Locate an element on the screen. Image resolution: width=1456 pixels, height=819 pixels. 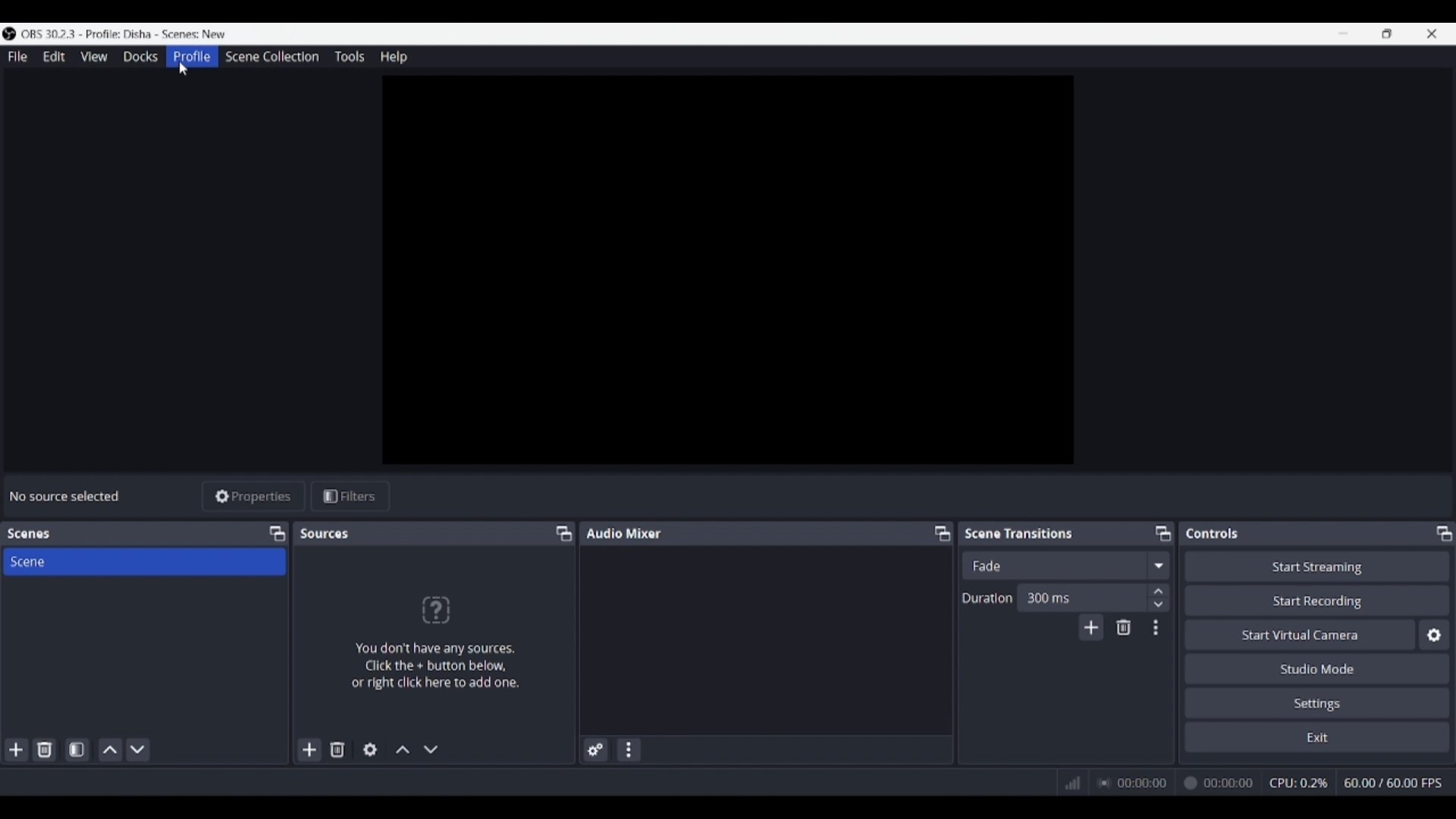
Click on profile menu is located at coordinates (183, 68).